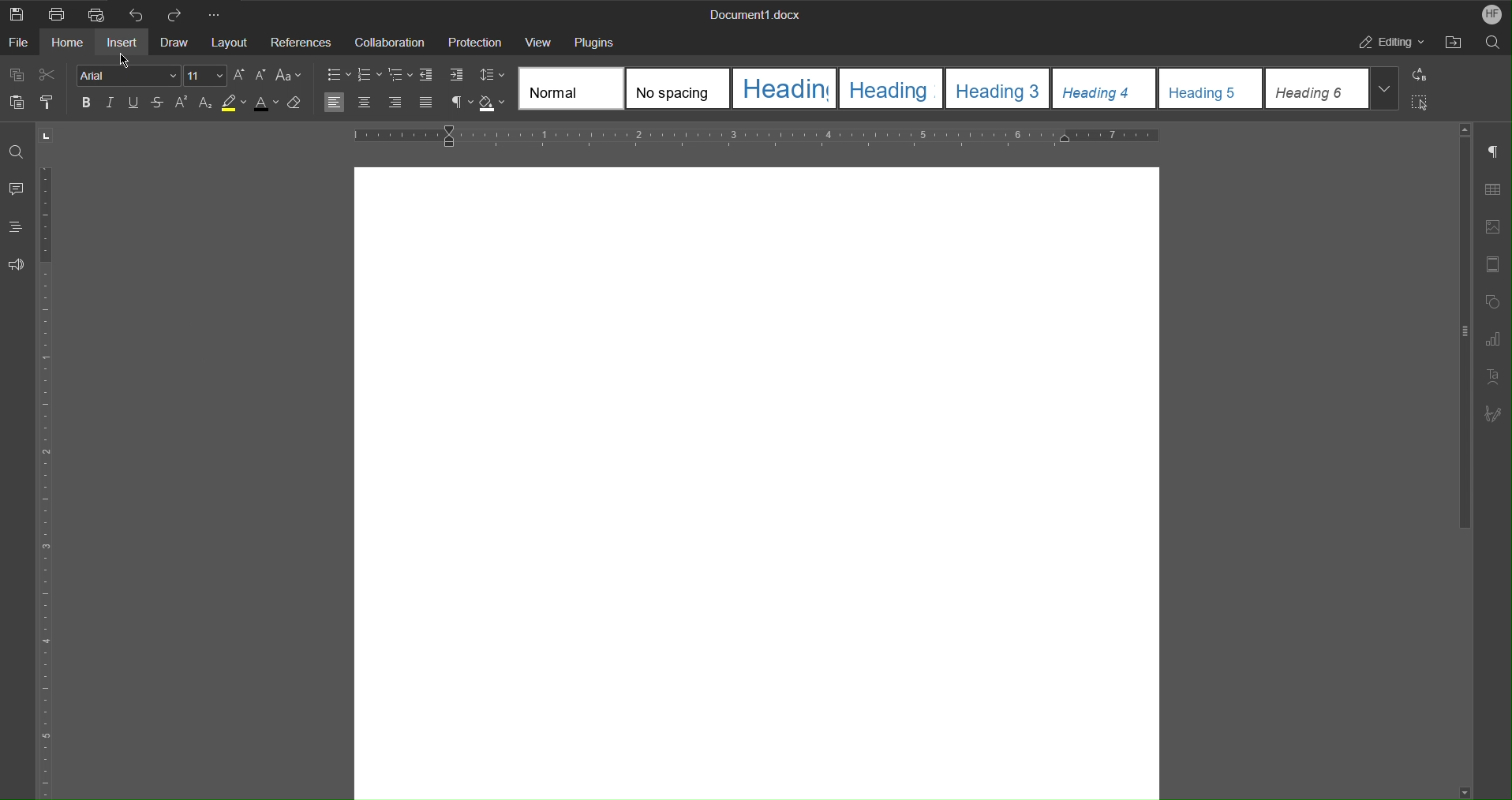 The width and height of the screenshot is (1512, 800). I want to click on Graph, so click(1493, 340).